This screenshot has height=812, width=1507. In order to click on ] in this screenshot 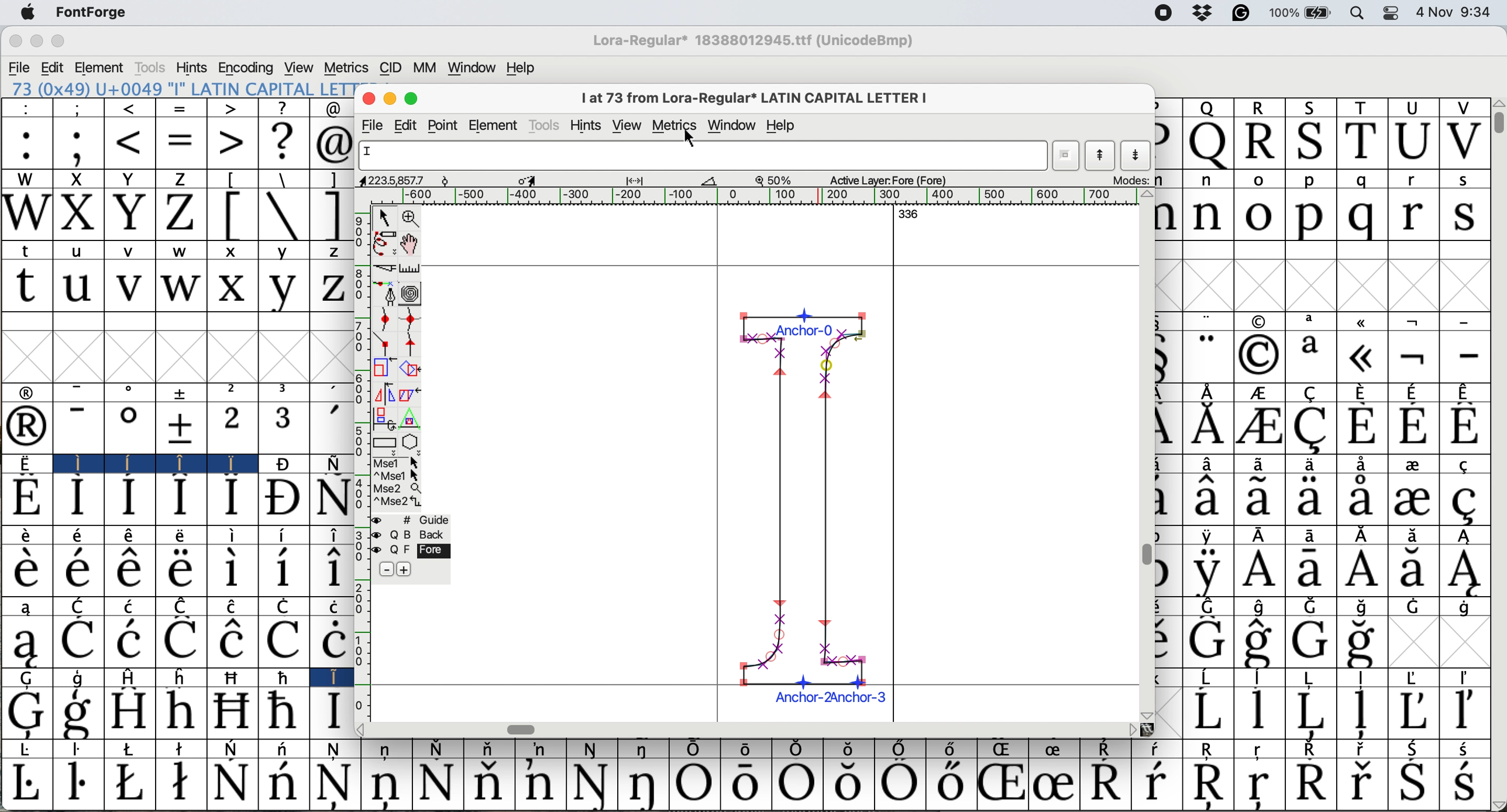, I will do `click(332, 215)`.